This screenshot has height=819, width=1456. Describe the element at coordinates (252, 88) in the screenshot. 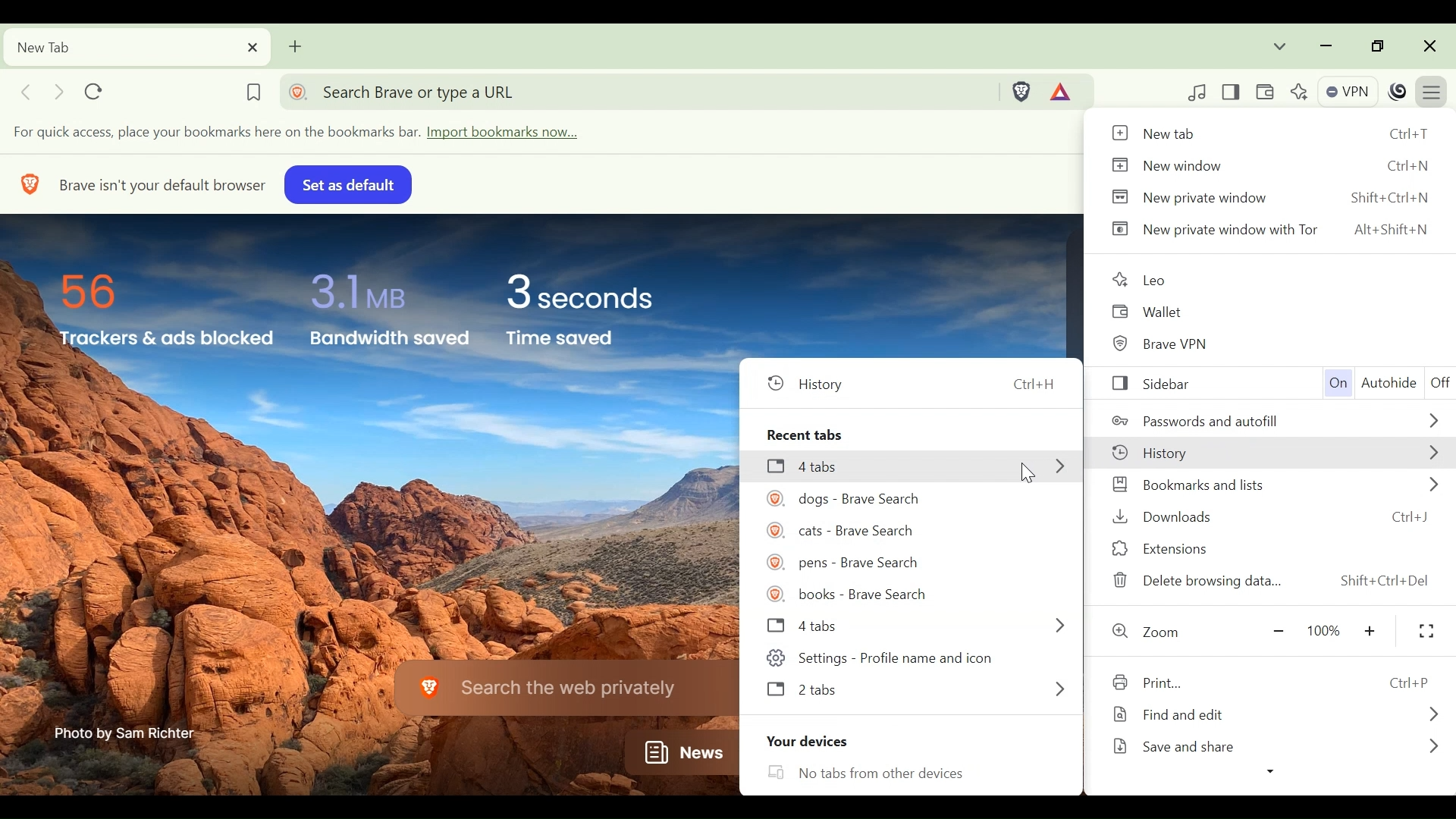

I see `Bookmark this tab` at that location.